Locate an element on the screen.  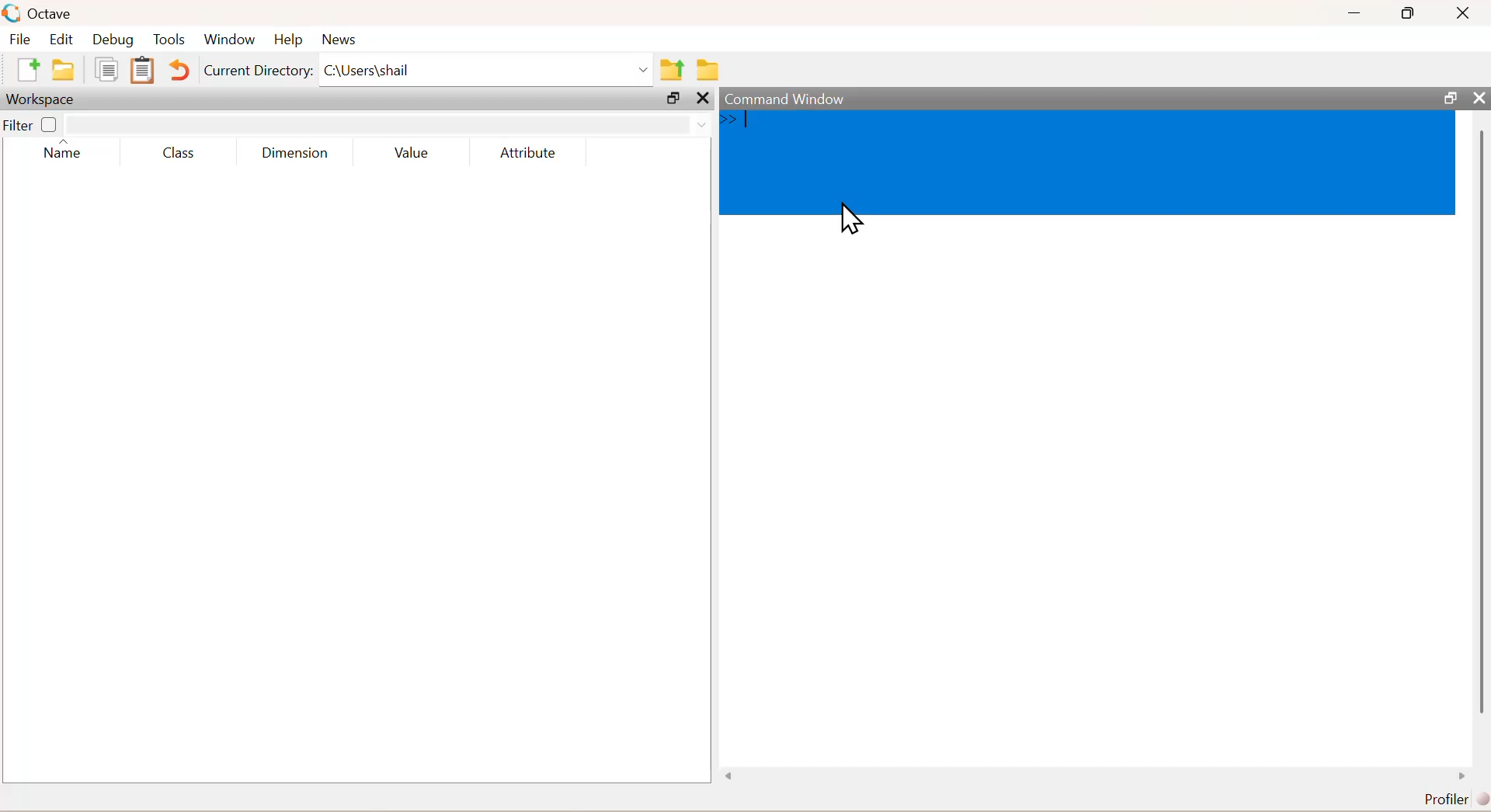
dimensions is located at coordinates (296, 152).